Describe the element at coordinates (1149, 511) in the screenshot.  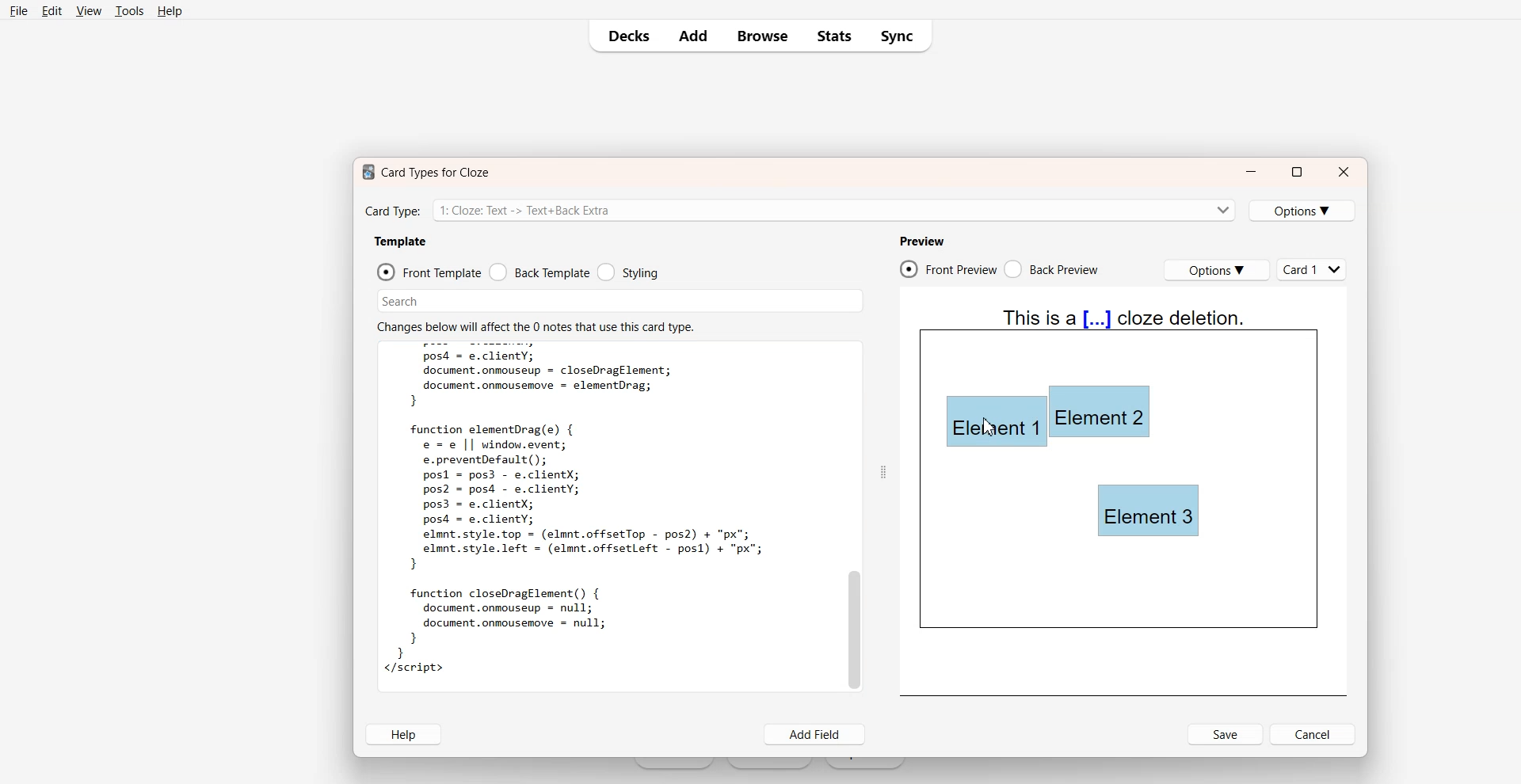
I see `Element 3` at that location.